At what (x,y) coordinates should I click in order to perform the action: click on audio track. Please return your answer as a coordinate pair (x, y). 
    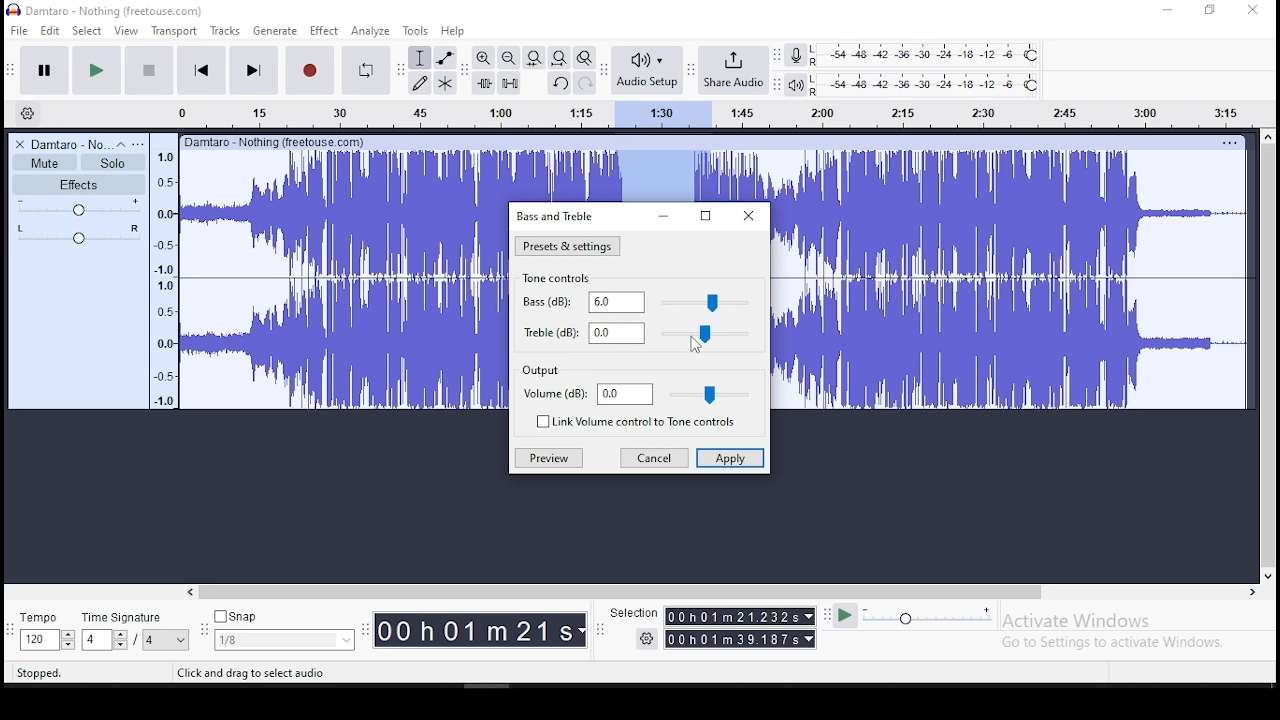
    Looking at the image, I should click on (344, 213).